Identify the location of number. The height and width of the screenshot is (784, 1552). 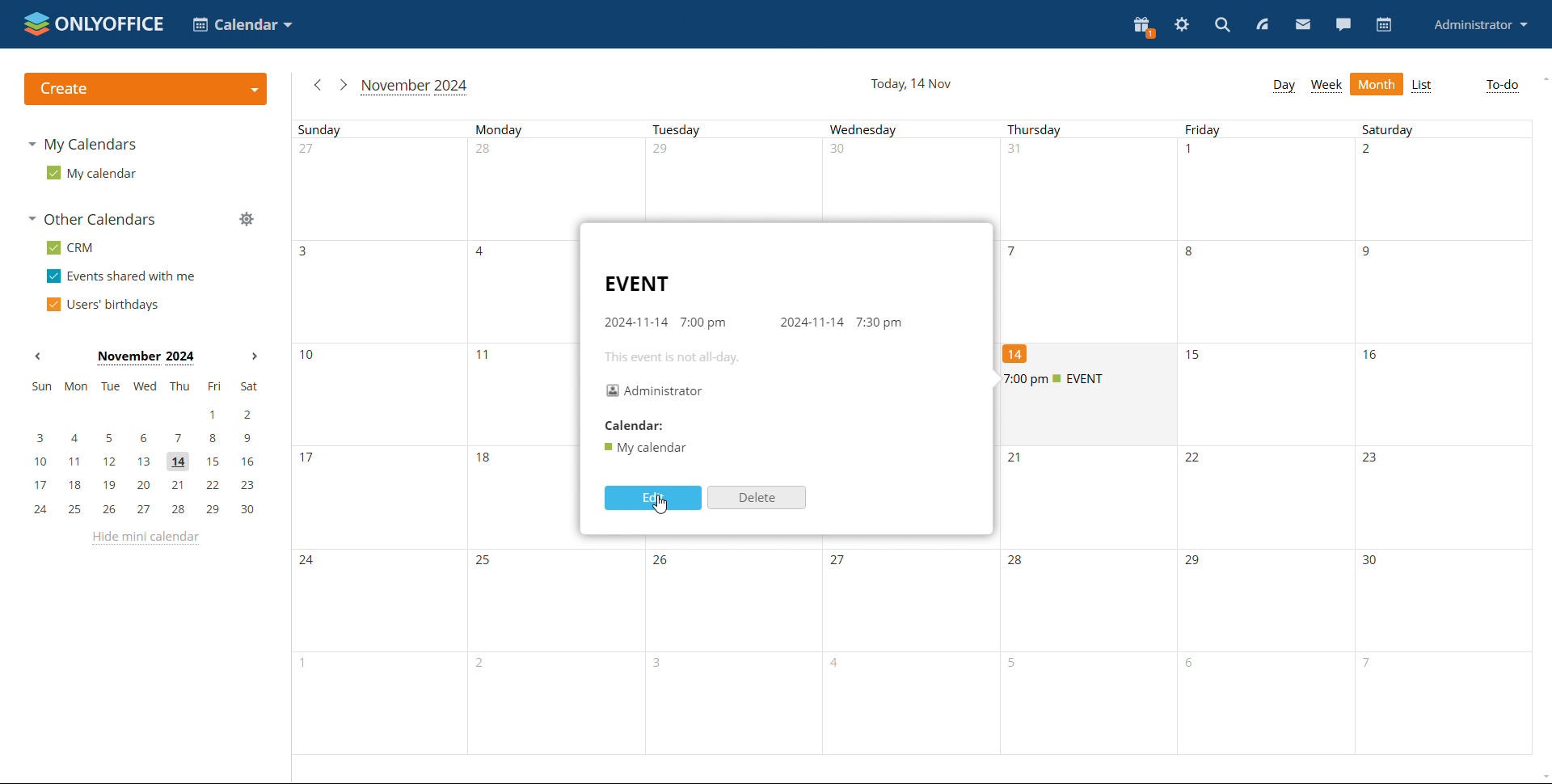
(1194, 152).